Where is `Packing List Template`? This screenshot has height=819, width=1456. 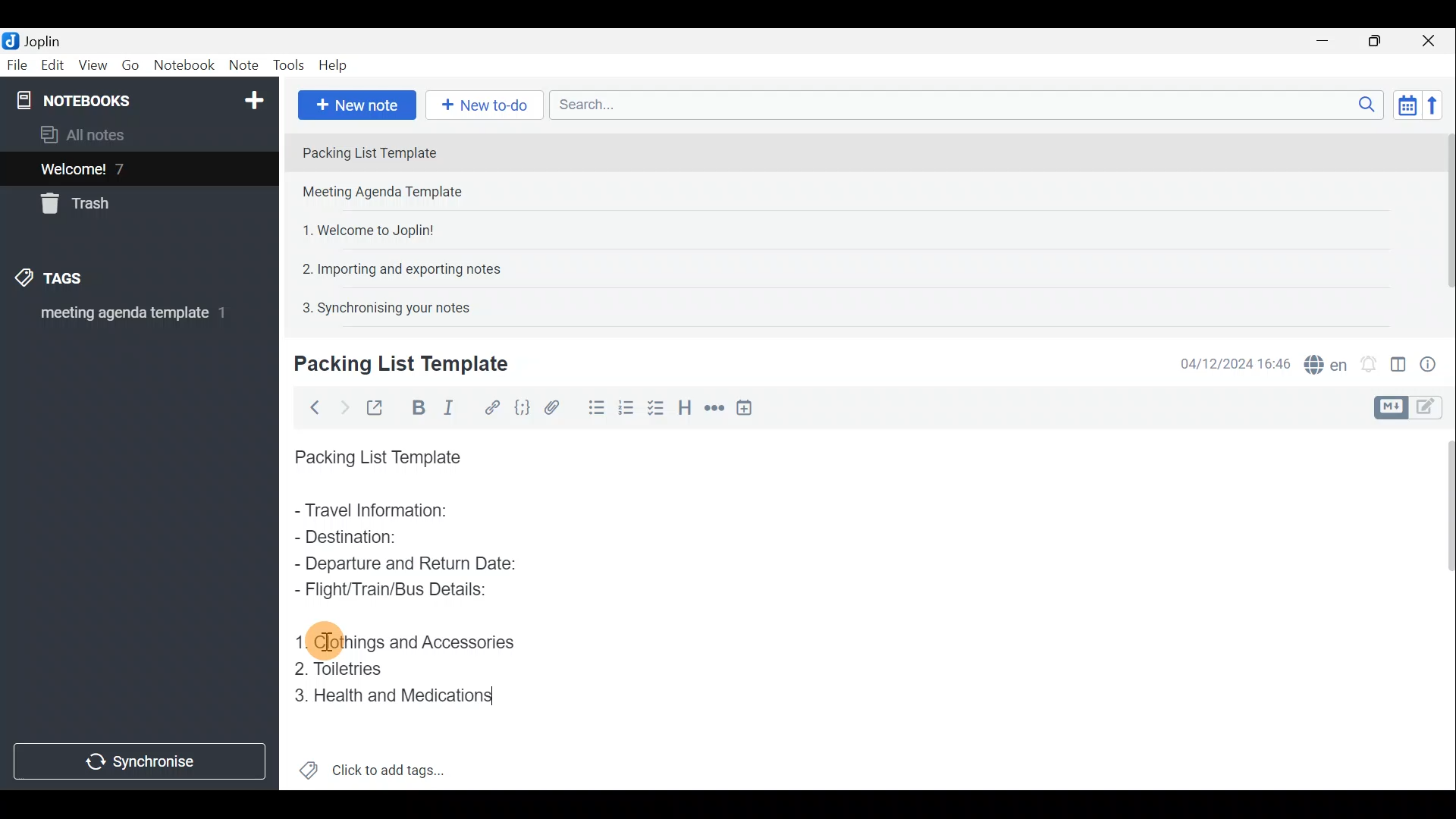 Packing List Template is located at coordinates (375, 453).